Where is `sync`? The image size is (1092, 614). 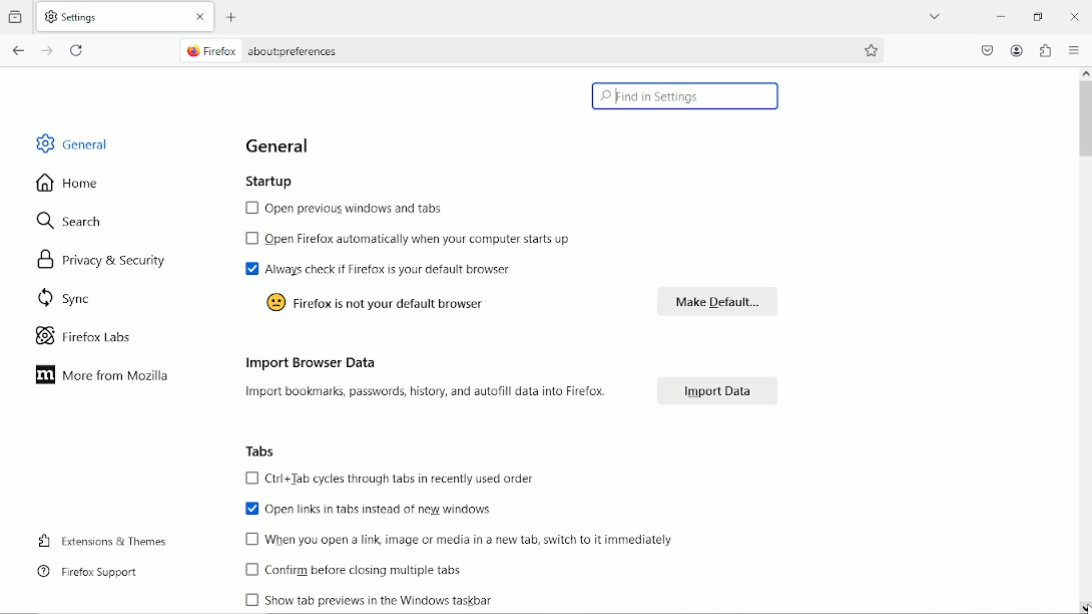 sync is located at coordinates (63, 300).